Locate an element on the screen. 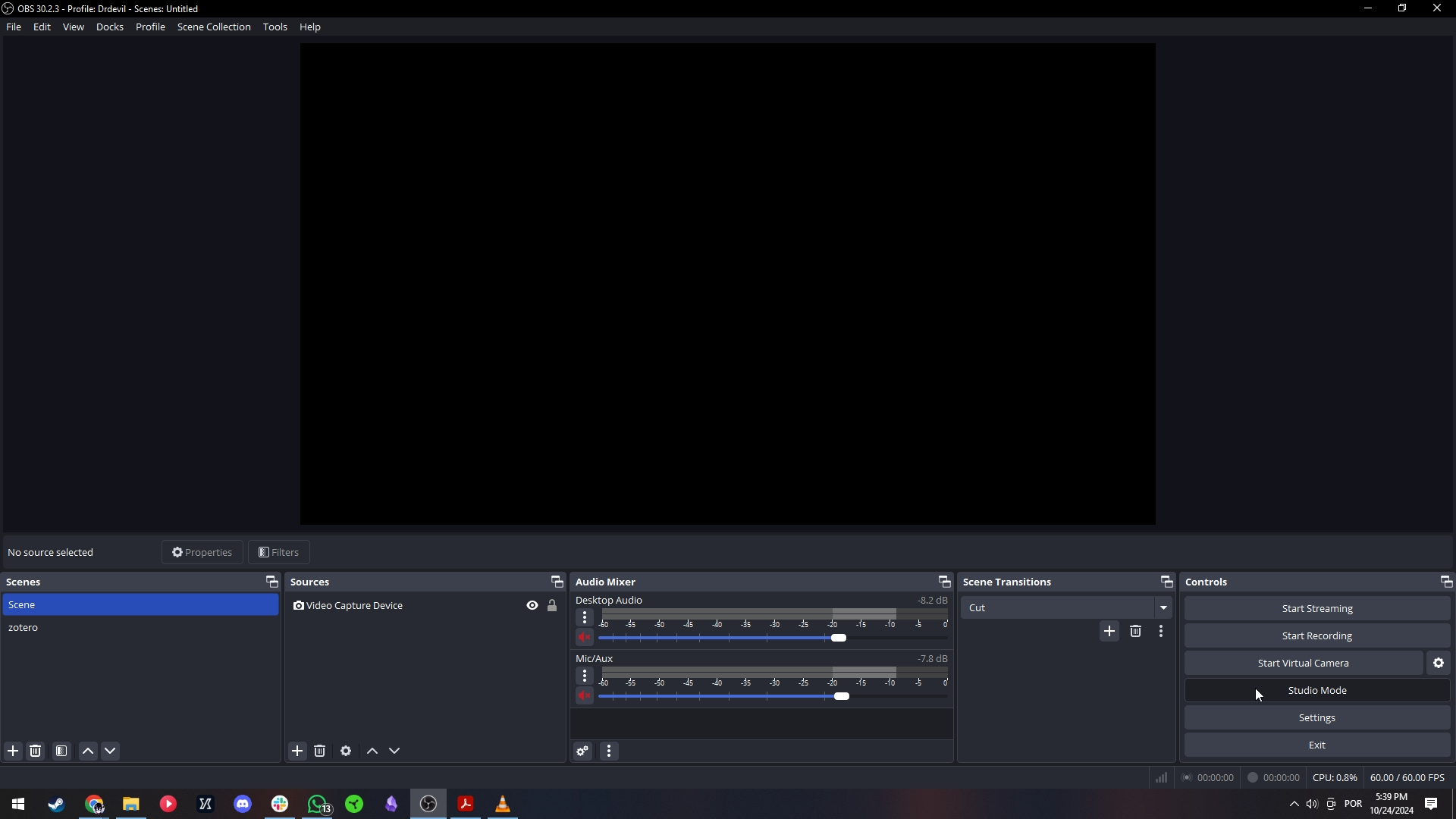 Image resolution: width=1456 pixels, height=819 pixels. Scene filters is located at coordinates (61, 752).